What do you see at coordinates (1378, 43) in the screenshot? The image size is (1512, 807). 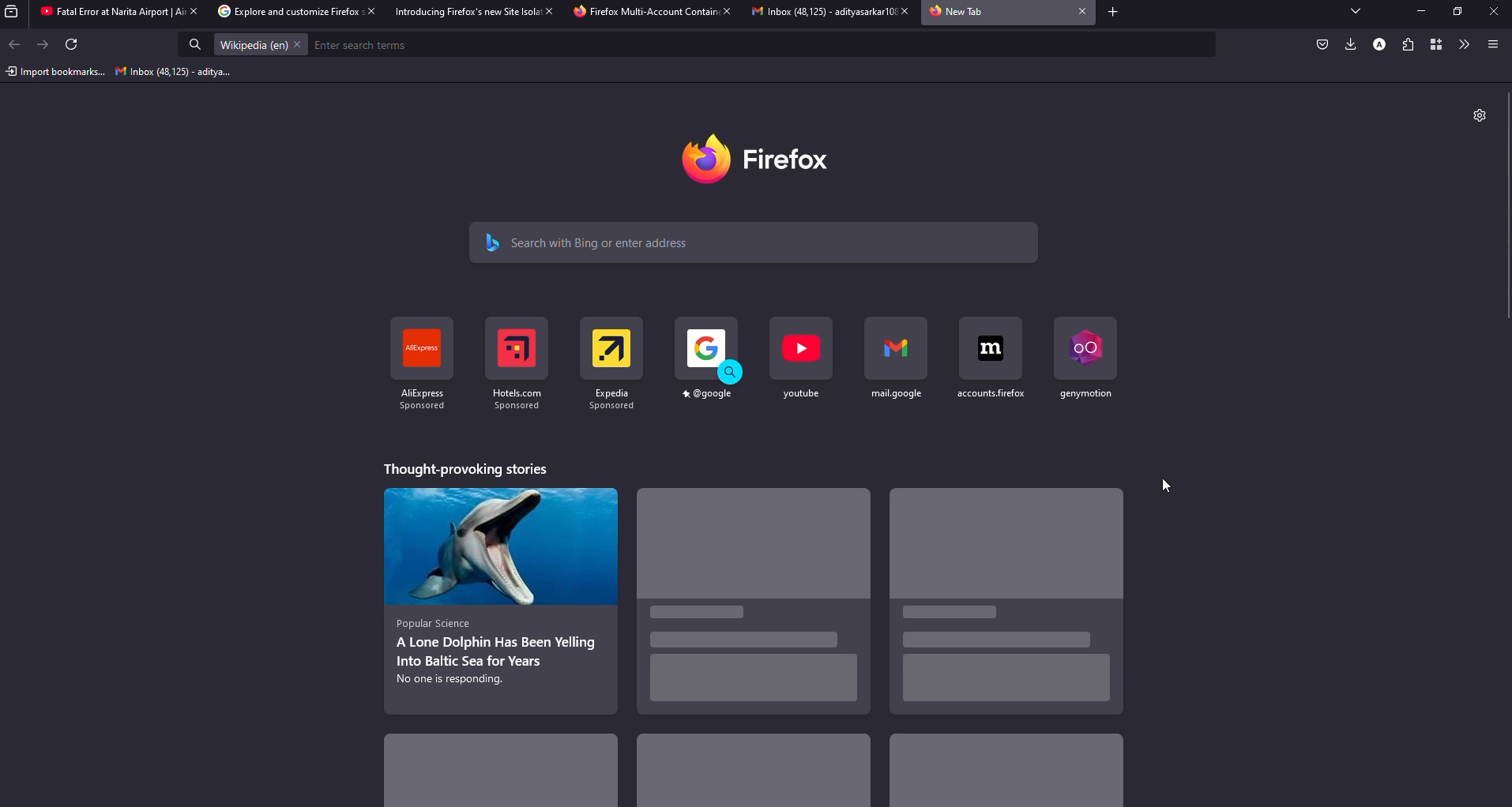 I see `profile` at bounding box center [1378, 43].